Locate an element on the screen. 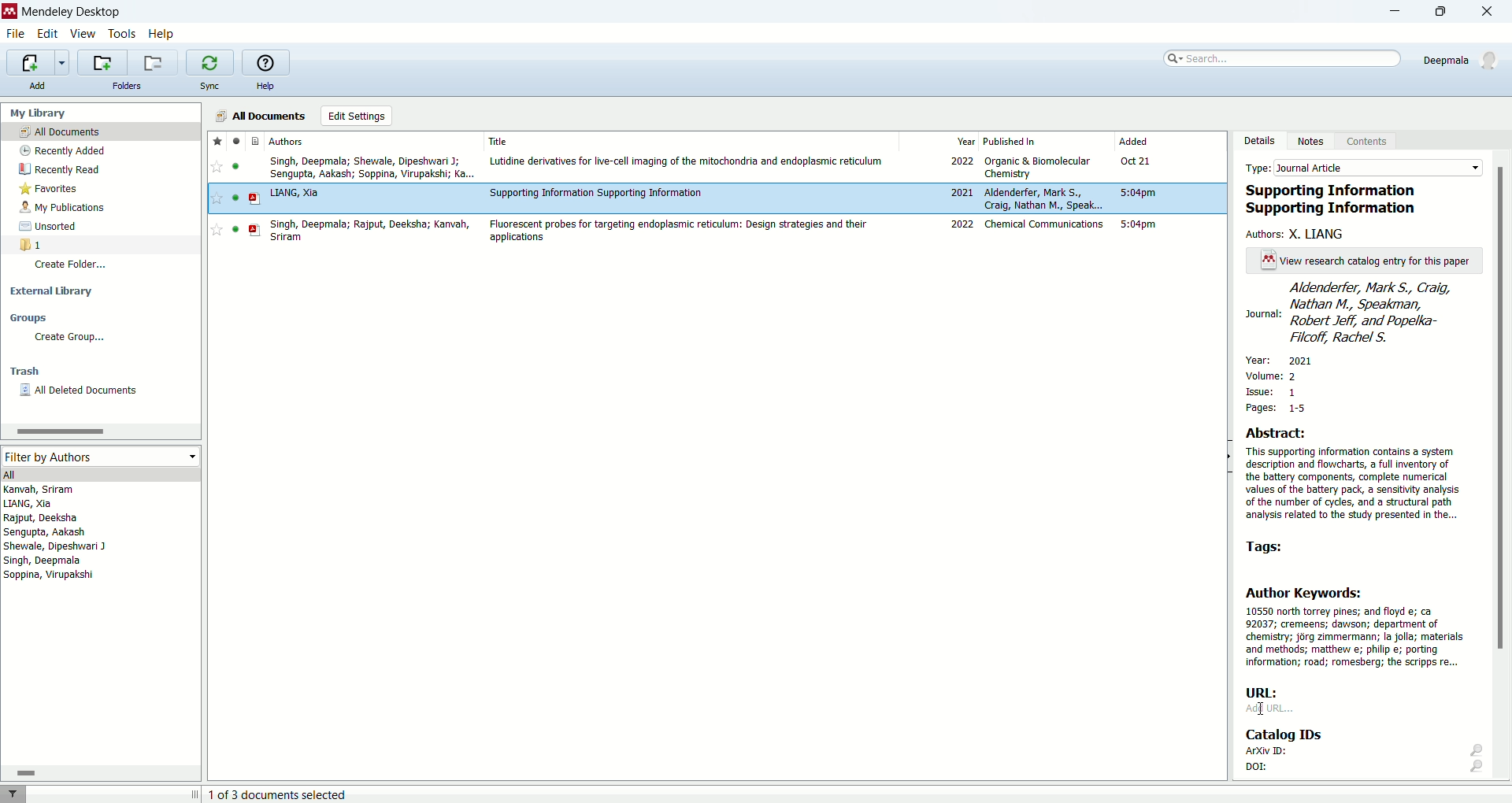  year is located at coordinates (967, 140).